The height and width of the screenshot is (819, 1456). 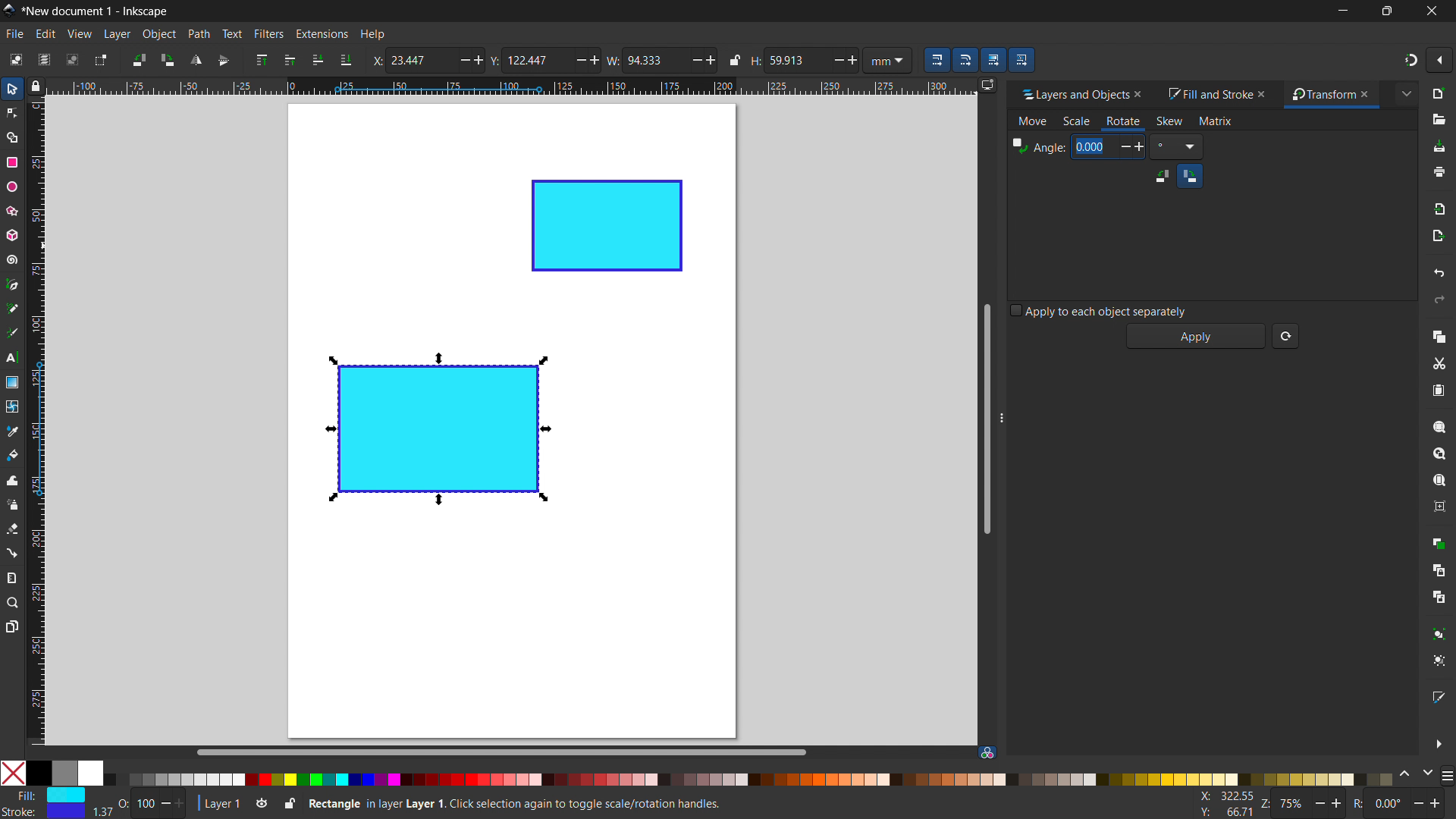 I want to click on save, so click(x=1439, y=147).